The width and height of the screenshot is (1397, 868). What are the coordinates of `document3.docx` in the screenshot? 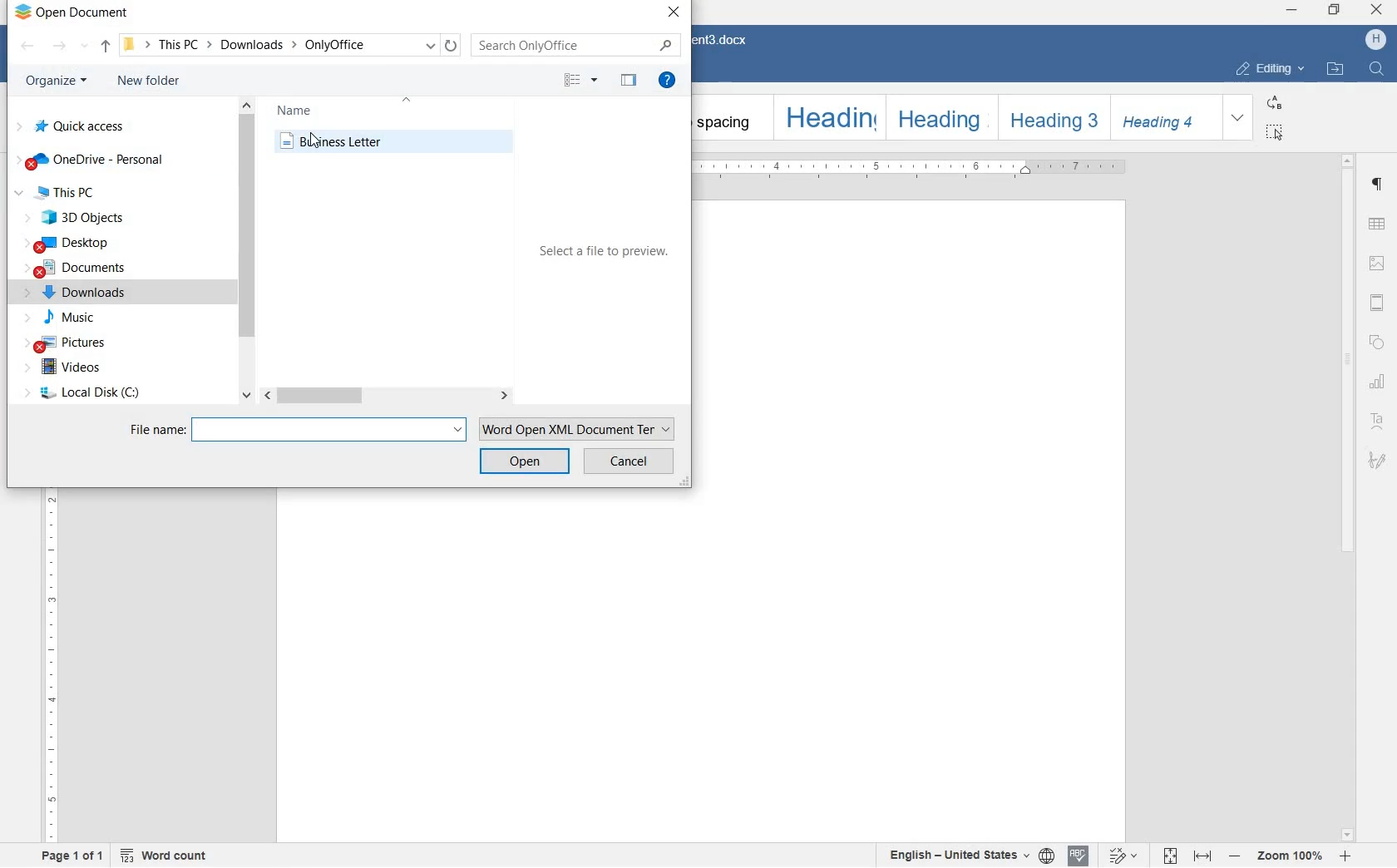 It's located at (728, 41).